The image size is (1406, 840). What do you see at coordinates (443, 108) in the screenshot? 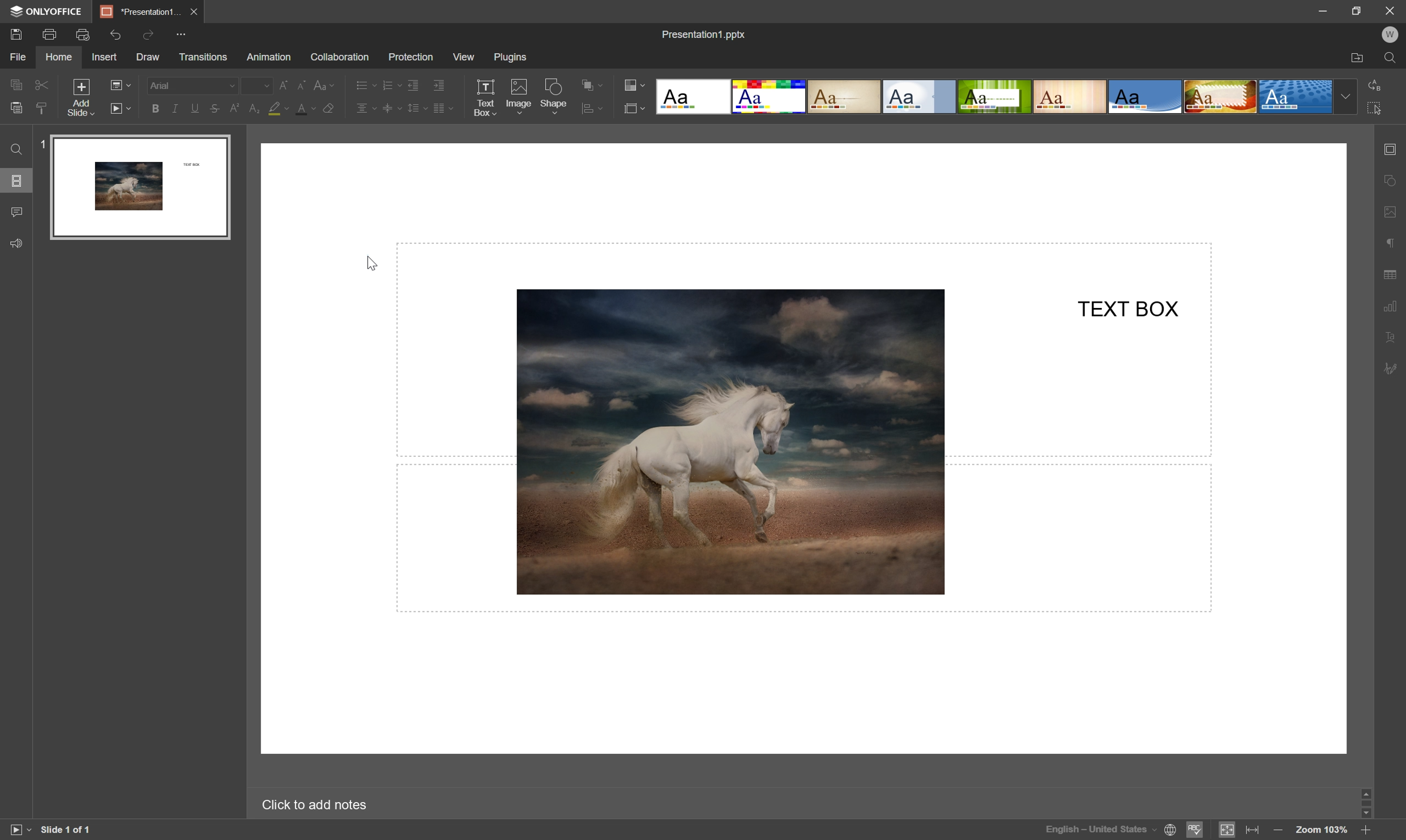
I see `insert columns` at bounding box center [443, 108].